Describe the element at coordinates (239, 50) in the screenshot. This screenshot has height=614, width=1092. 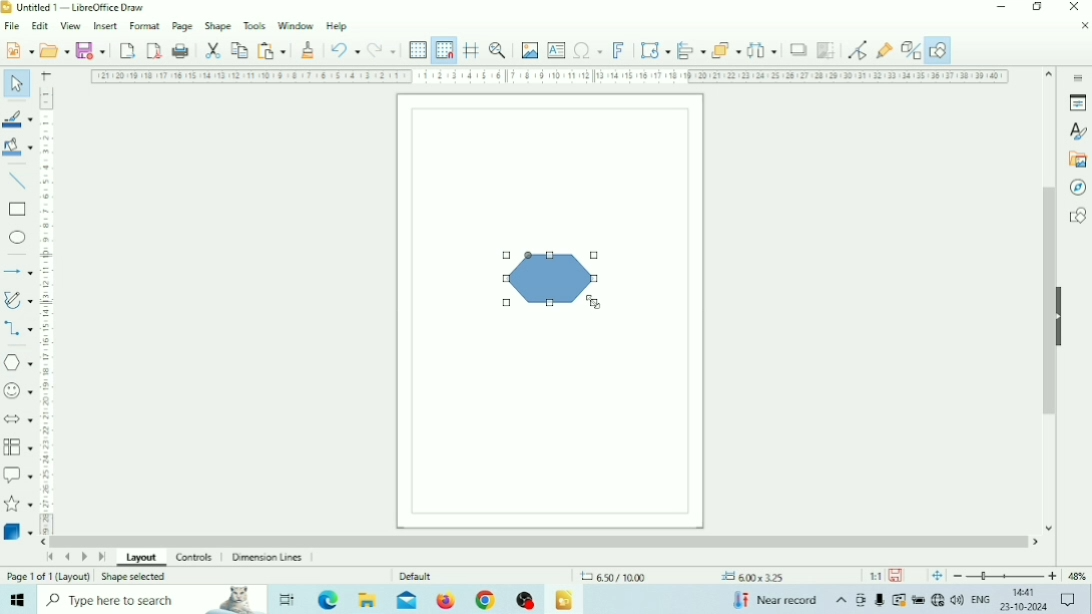
I see `Copy` at that location.